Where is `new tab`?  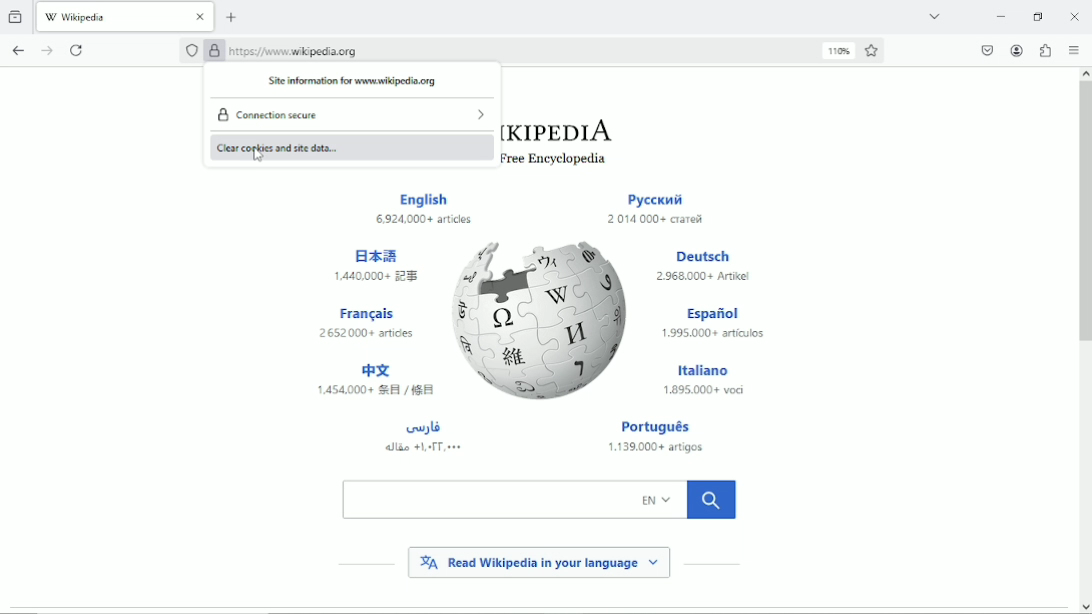 new tab is located at coordinates (232, 17).